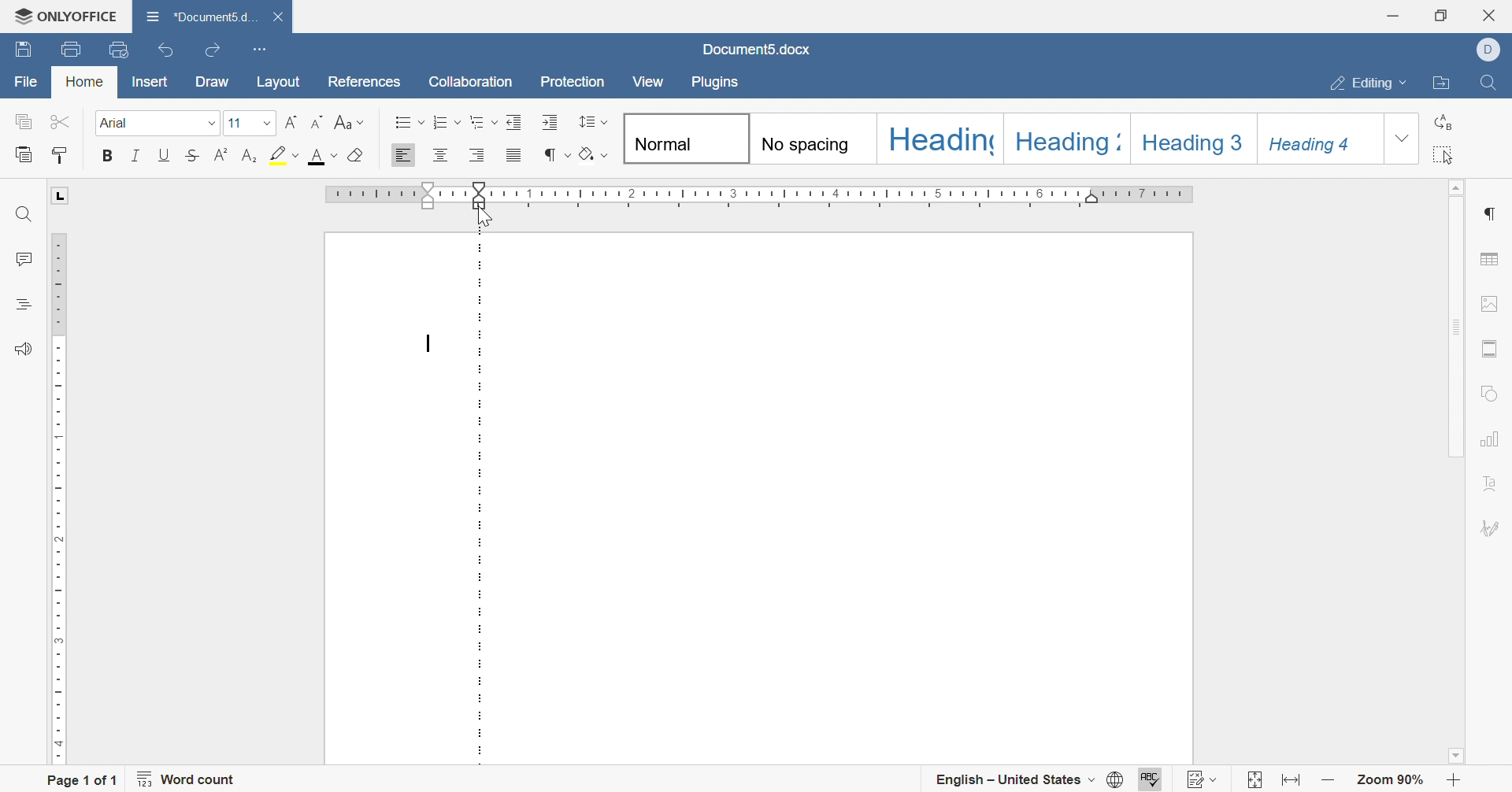 Image resolution: width=1512 pixels, height=792 pixels. What do you see at coordinates (276, 13) in the screenshot?
I see `close` at bounding box center [276, 13].